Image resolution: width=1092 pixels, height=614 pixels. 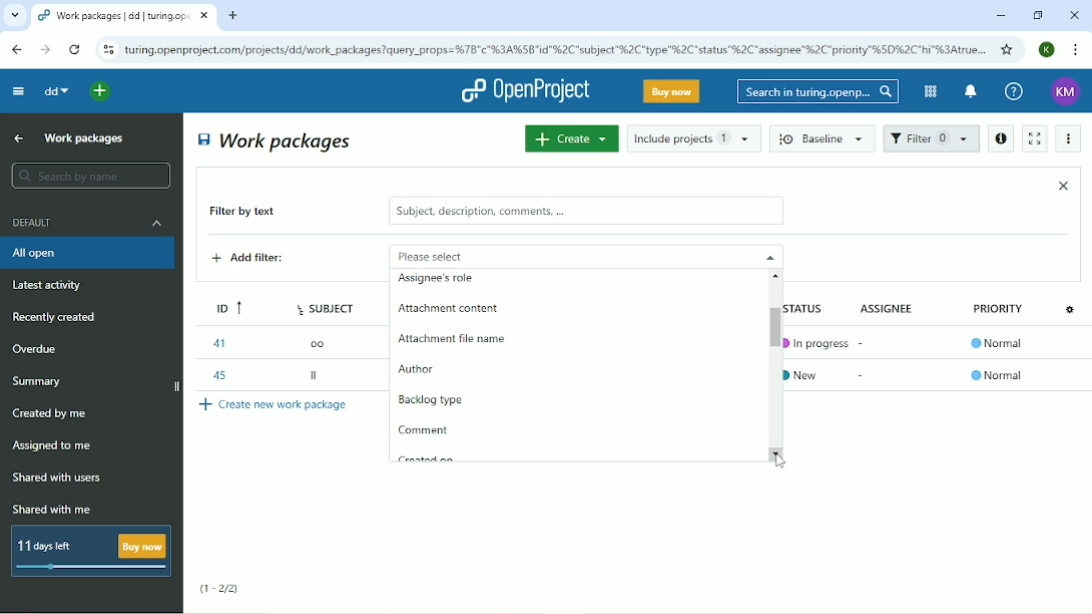 I want to click on close drop down menu, so click(x=768, y=256).